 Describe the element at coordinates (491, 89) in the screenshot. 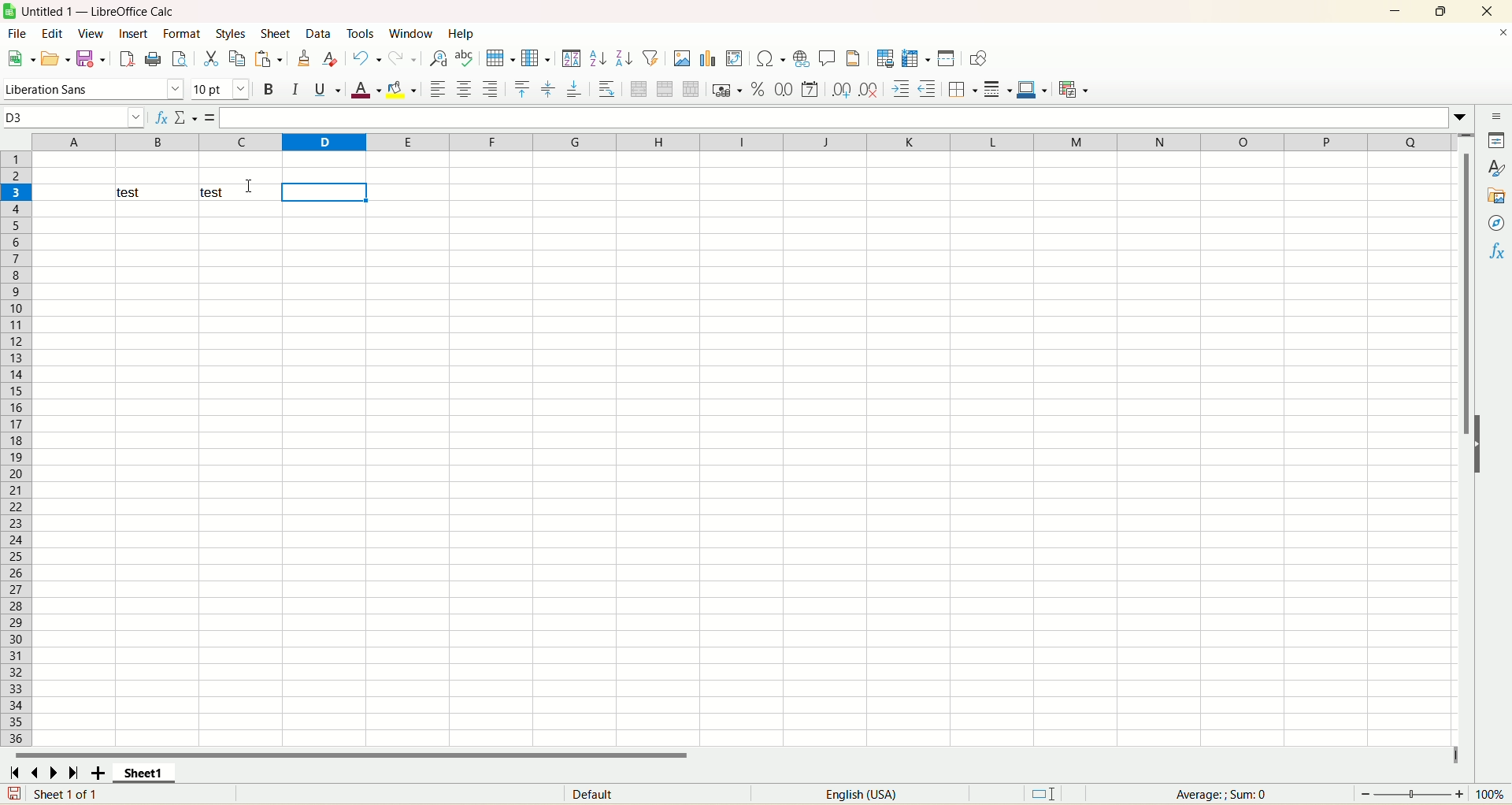

I see `align left` at that location.